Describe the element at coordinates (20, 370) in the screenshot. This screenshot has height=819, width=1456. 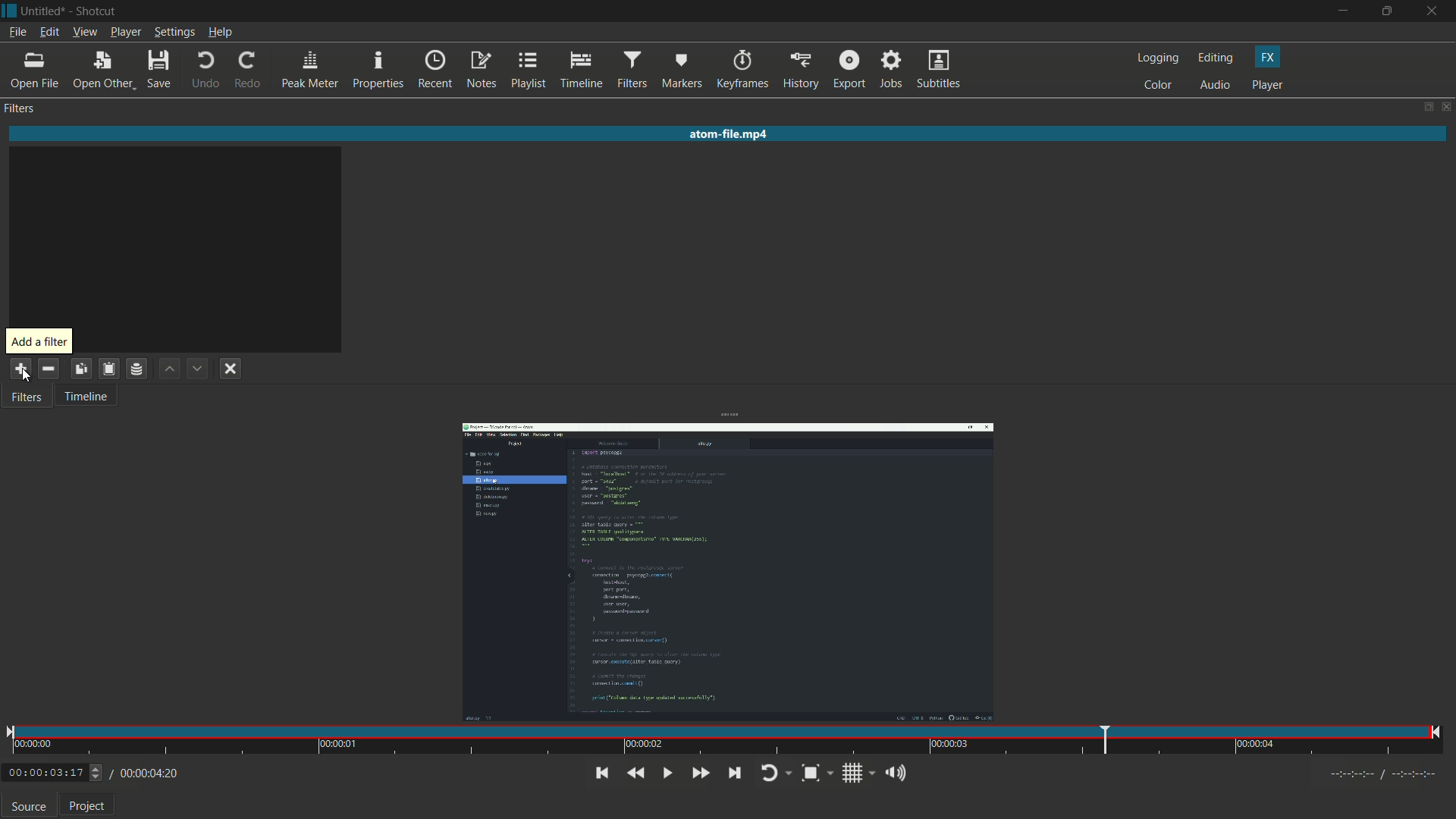
I see `add filter` at that location.